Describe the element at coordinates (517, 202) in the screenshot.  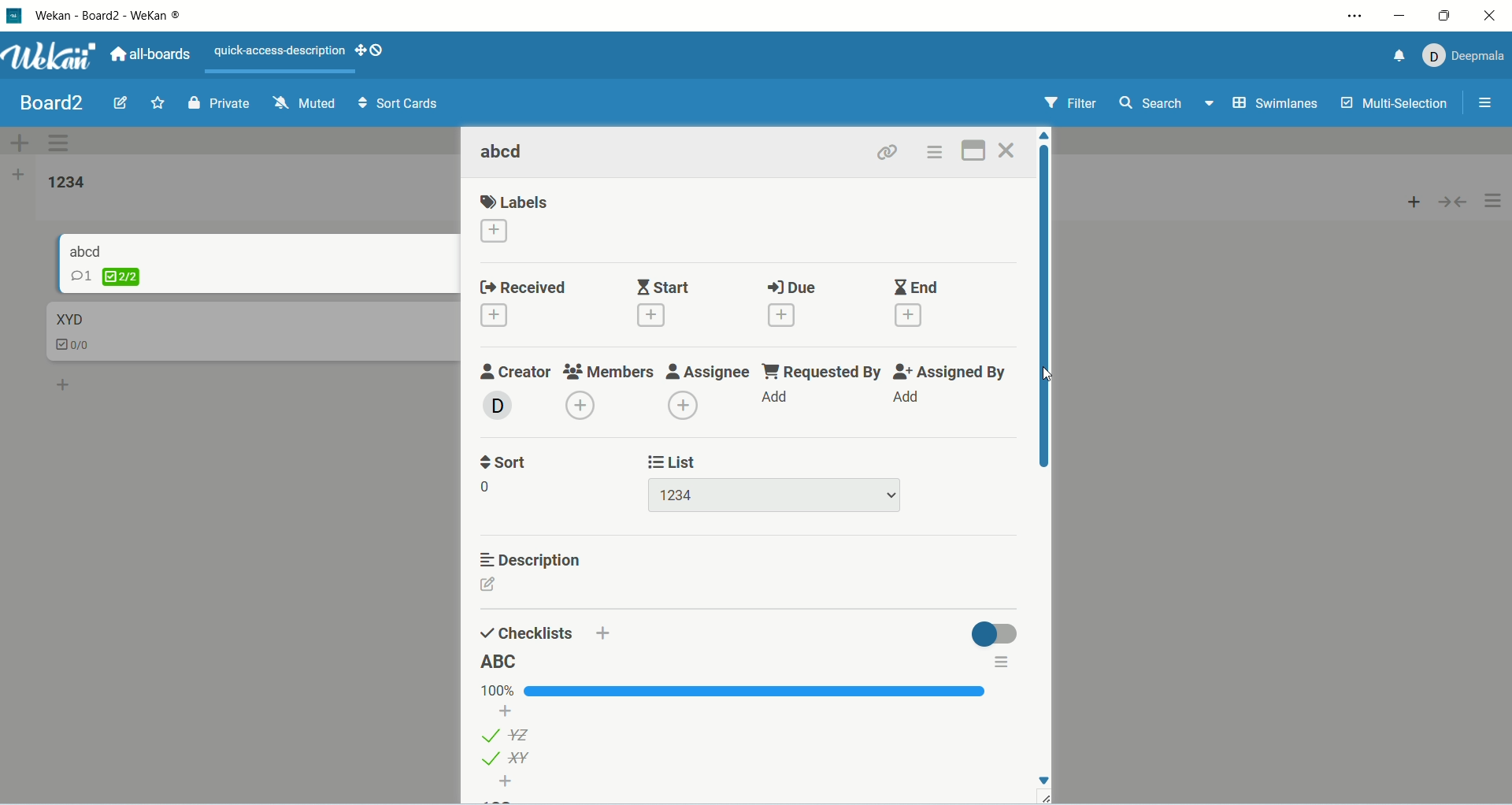
I see `labels` at that location.